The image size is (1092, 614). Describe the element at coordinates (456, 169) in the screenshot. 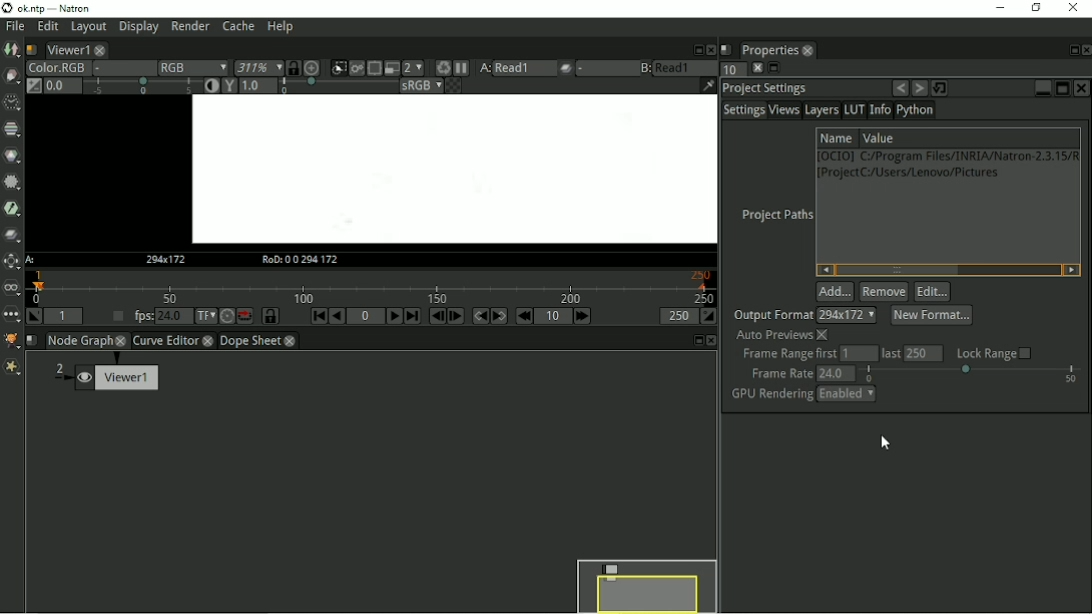

I see `Project opened` at that location.